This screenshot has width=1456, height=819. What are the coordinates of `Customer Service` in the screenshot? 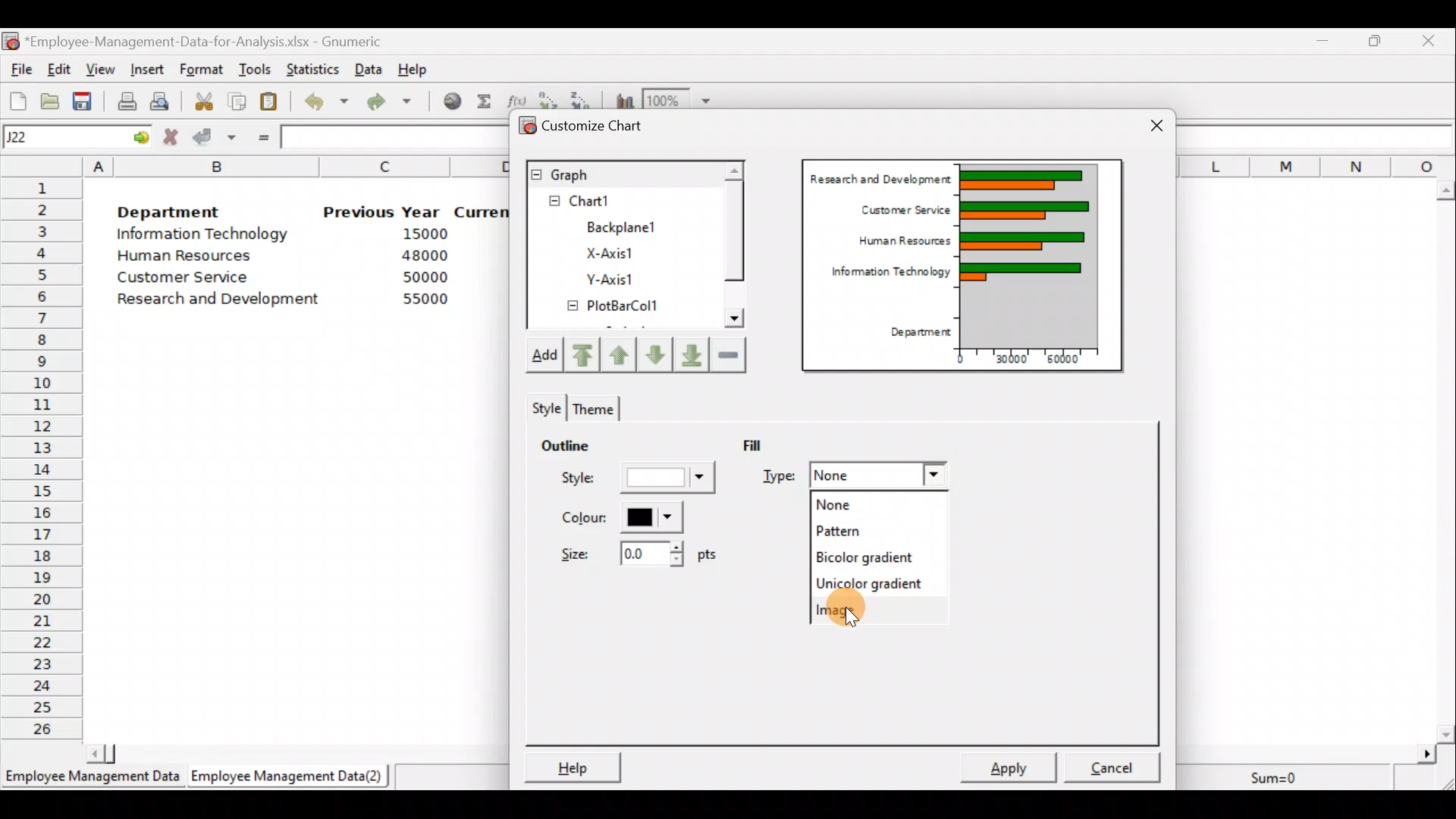 It's located at (176, 278).